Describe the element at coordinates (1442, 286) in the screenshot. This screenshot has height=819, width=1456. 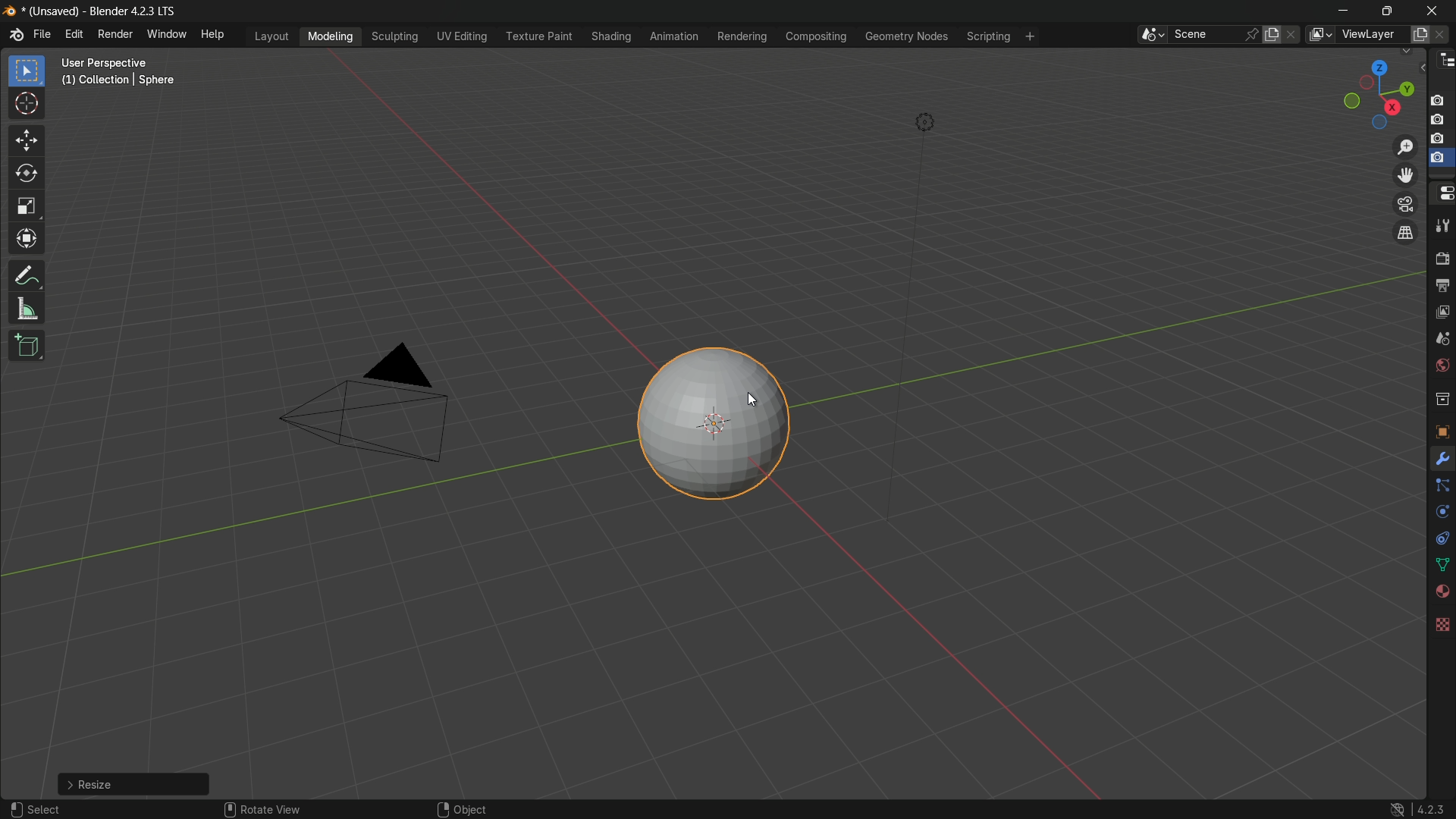
I see `output` at that location.